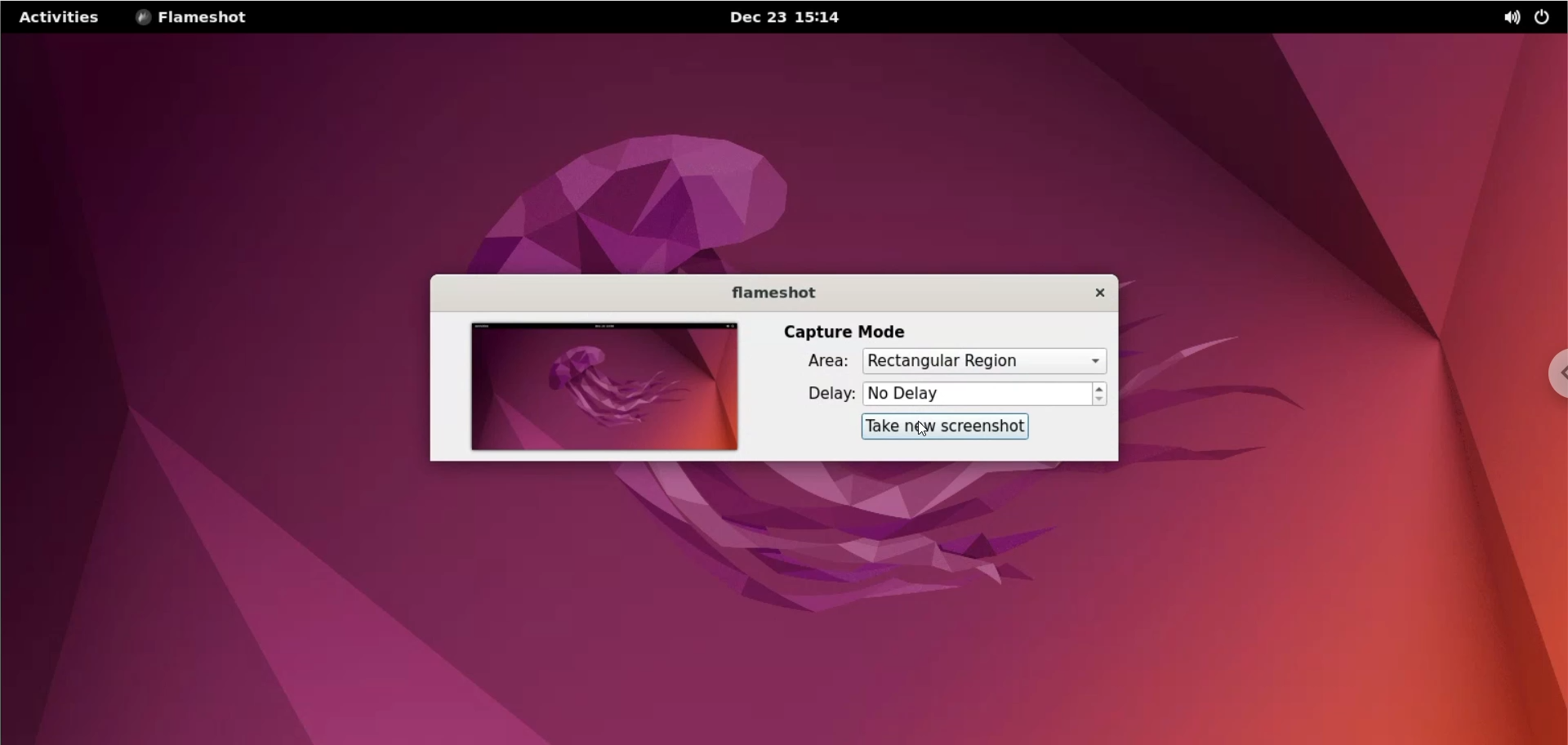 The height and width of the screenshot is (745, 1568). Describe the element at coordinates (986, 359) in the screenshot. I see `capture area options` at that location.